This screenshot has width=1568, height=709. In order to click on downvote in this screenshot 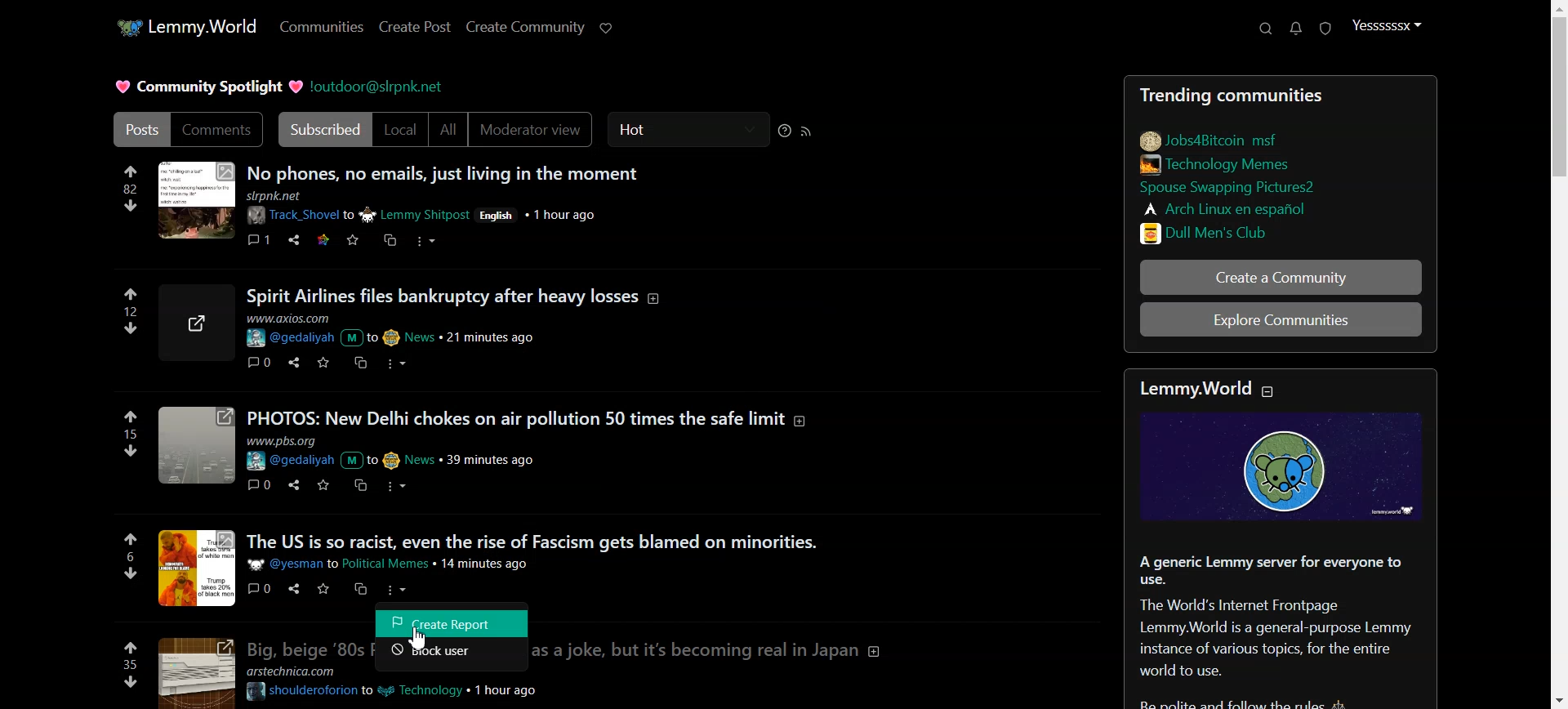, I will do `click(132, 449)`.